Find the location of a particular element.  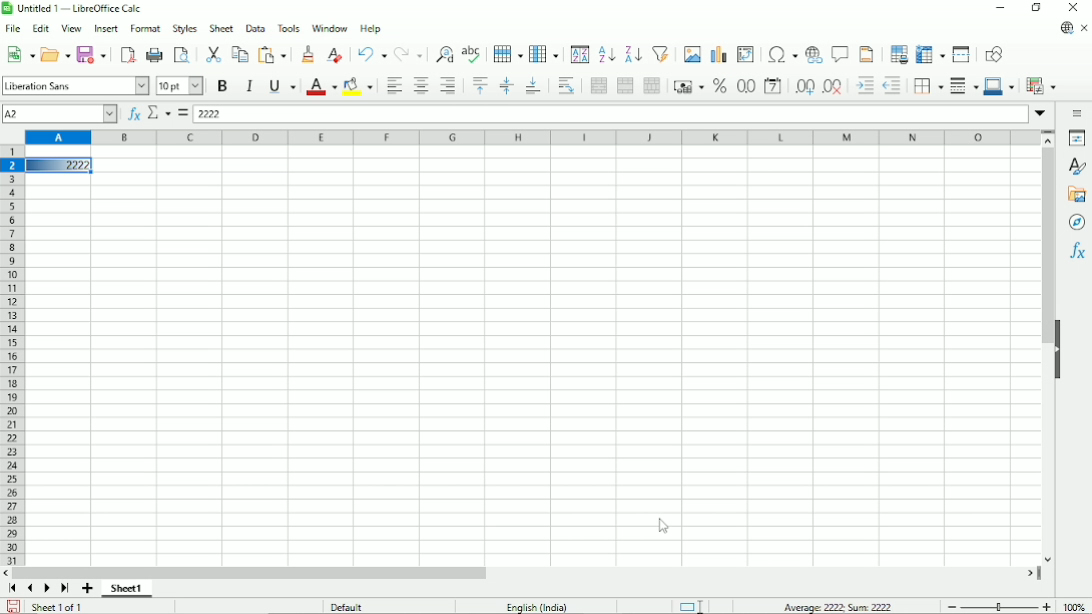

Wrap text is located at coordinates (567, 86).